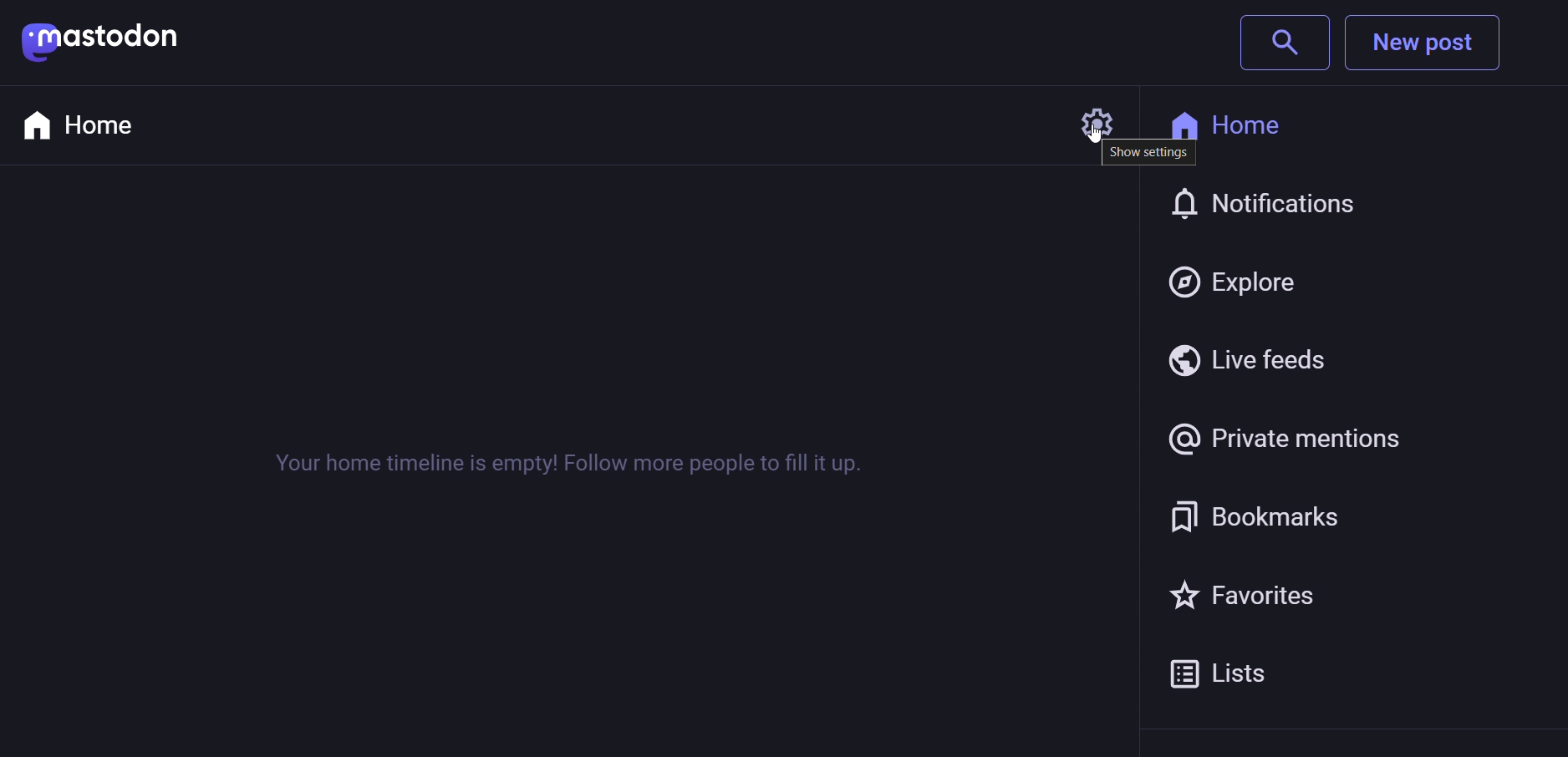 The width and height of the screenshot is (1568, 757). I want to click on search, so click(1282, 43).